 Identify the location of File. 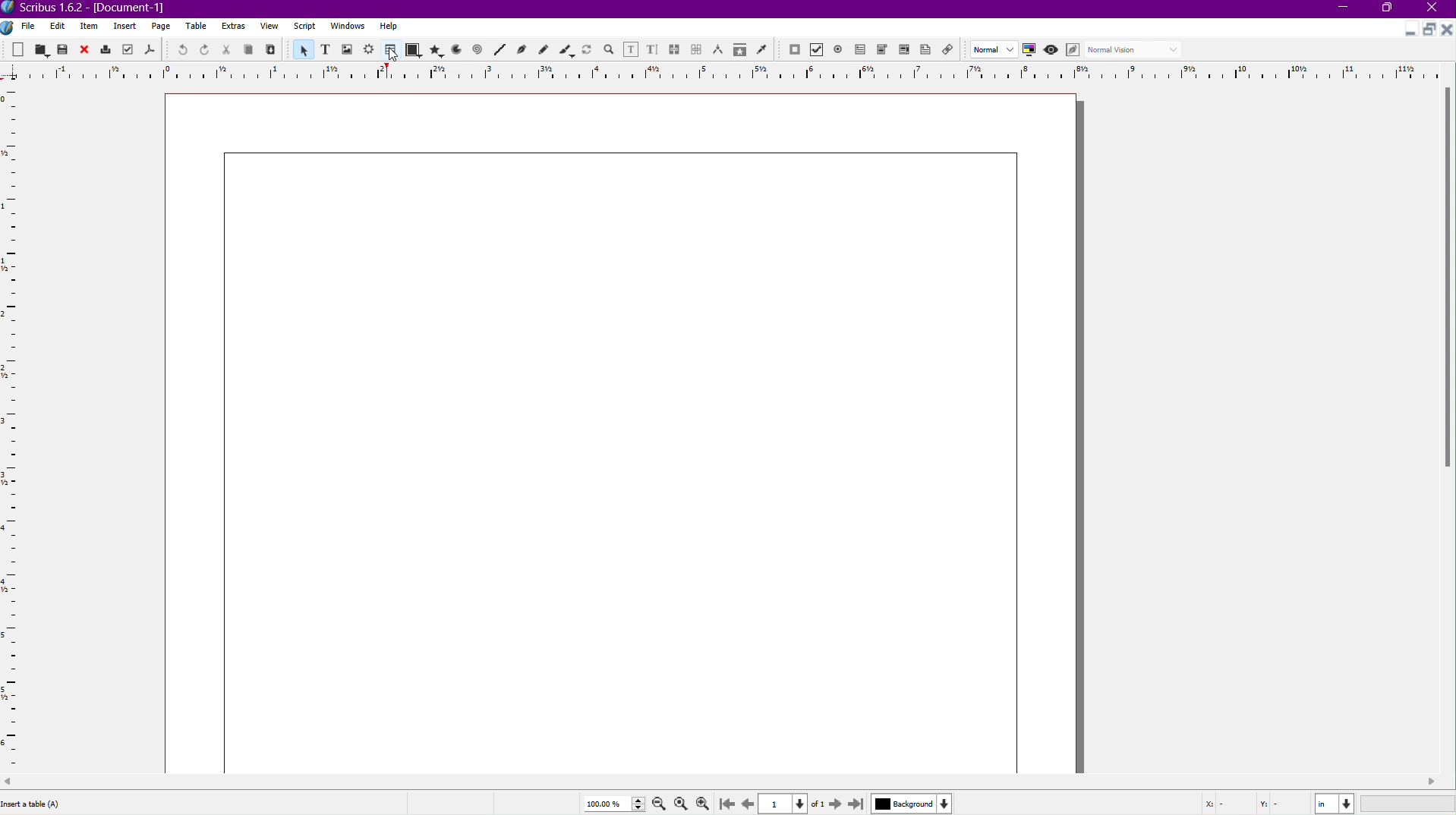
(27, 27).